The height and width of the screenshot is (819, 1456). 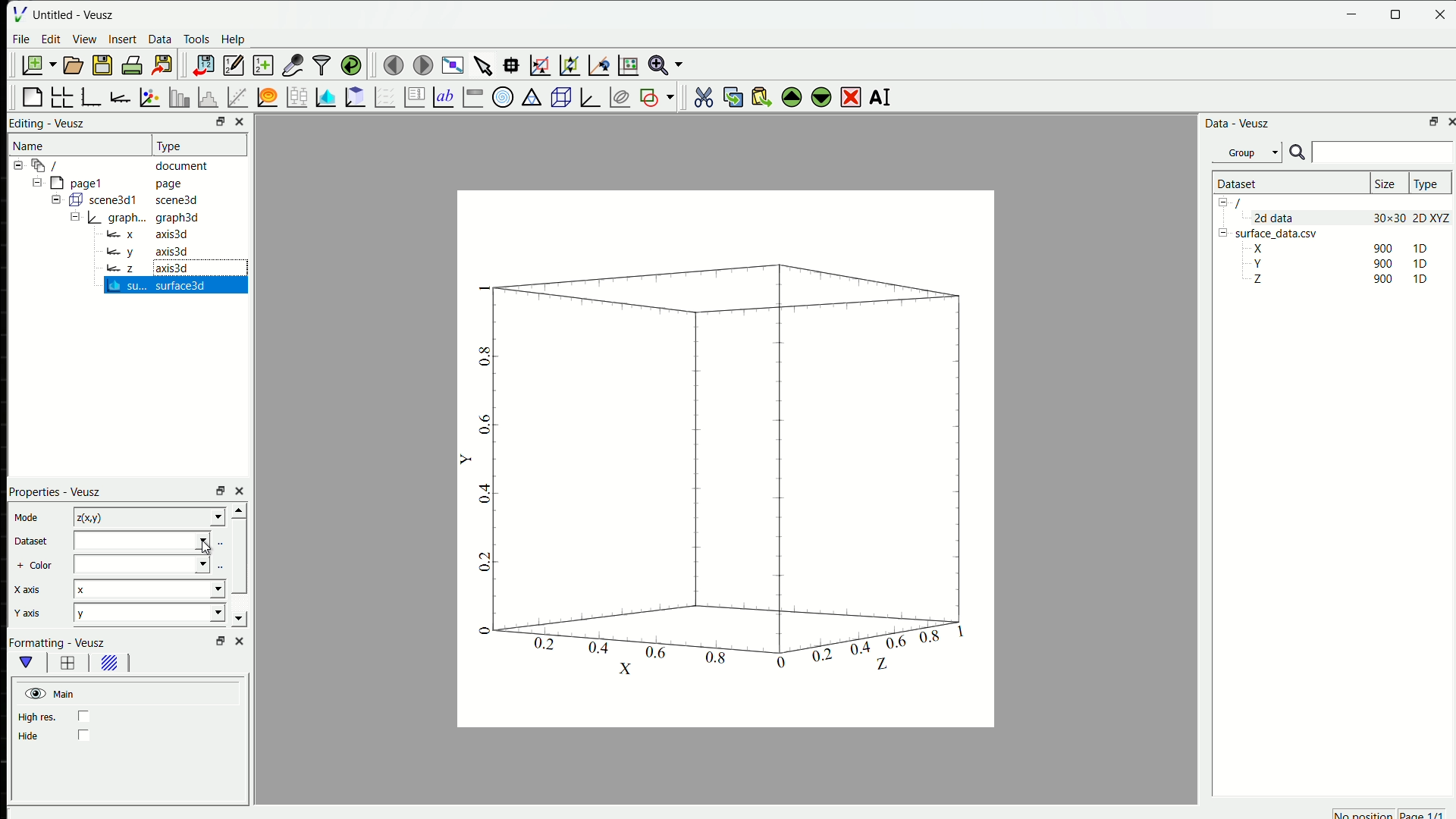 What do you see at coordinates (792, 96) in the screenshot?
I see `move the selected widget up` at bounding box center [792, 96].